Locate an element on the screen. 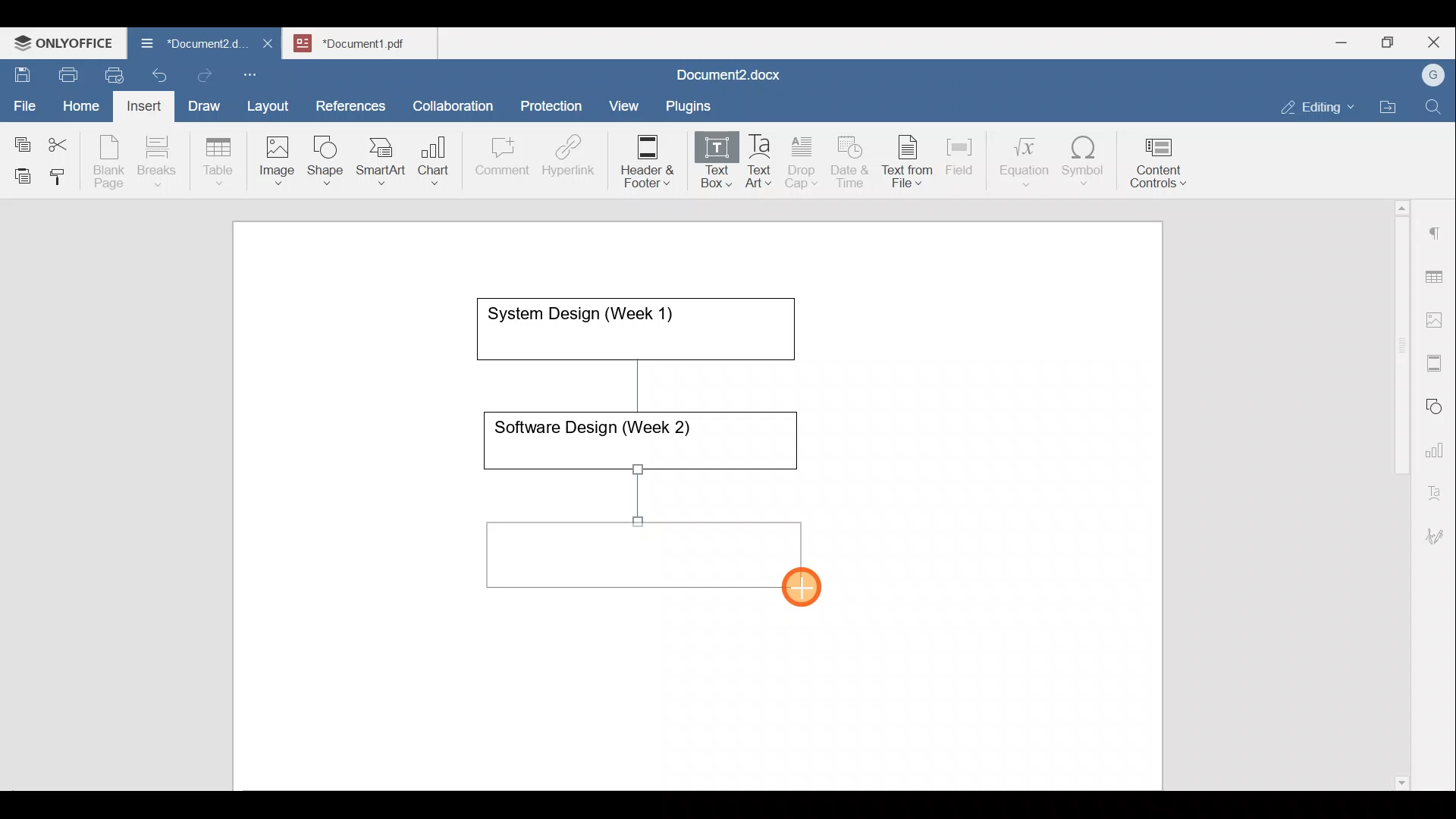 This screenshot has height=819, width=1456. Content controls is located at coordinates (1161, 168).